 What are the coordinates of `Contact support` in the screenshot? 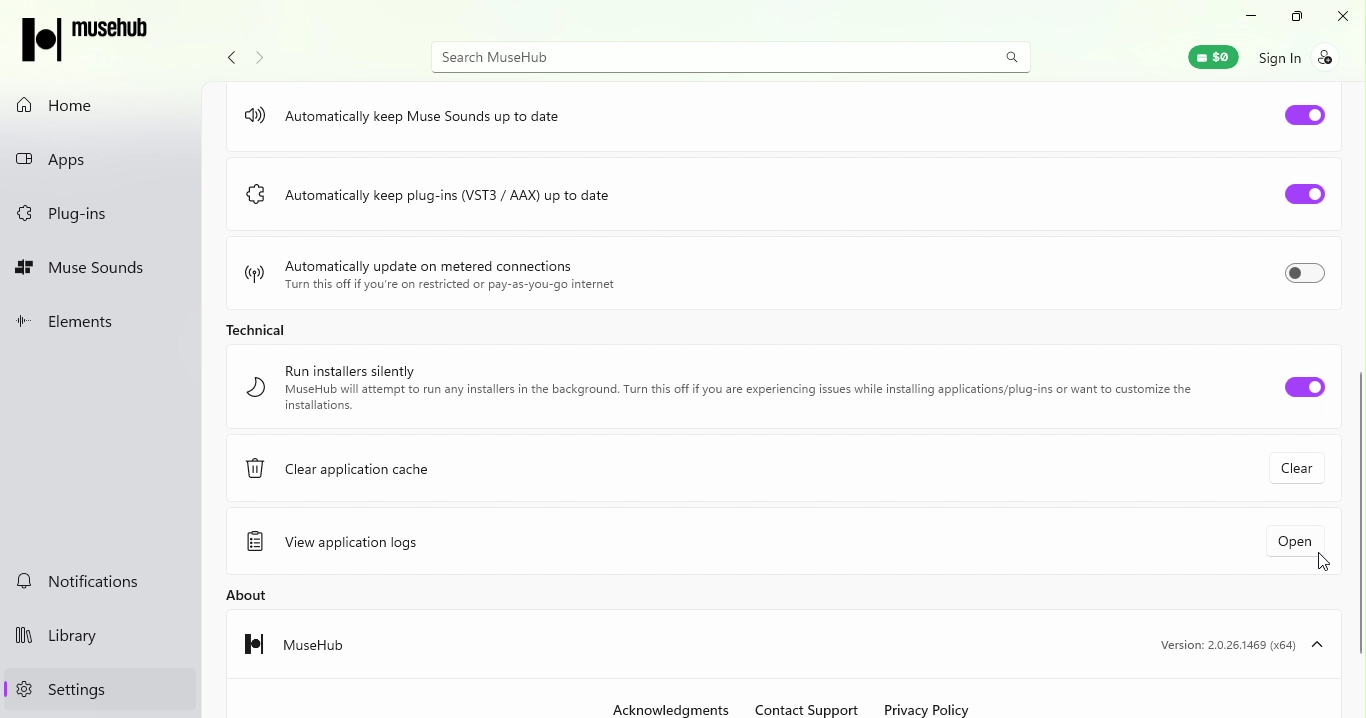 It's located at (804, 708).